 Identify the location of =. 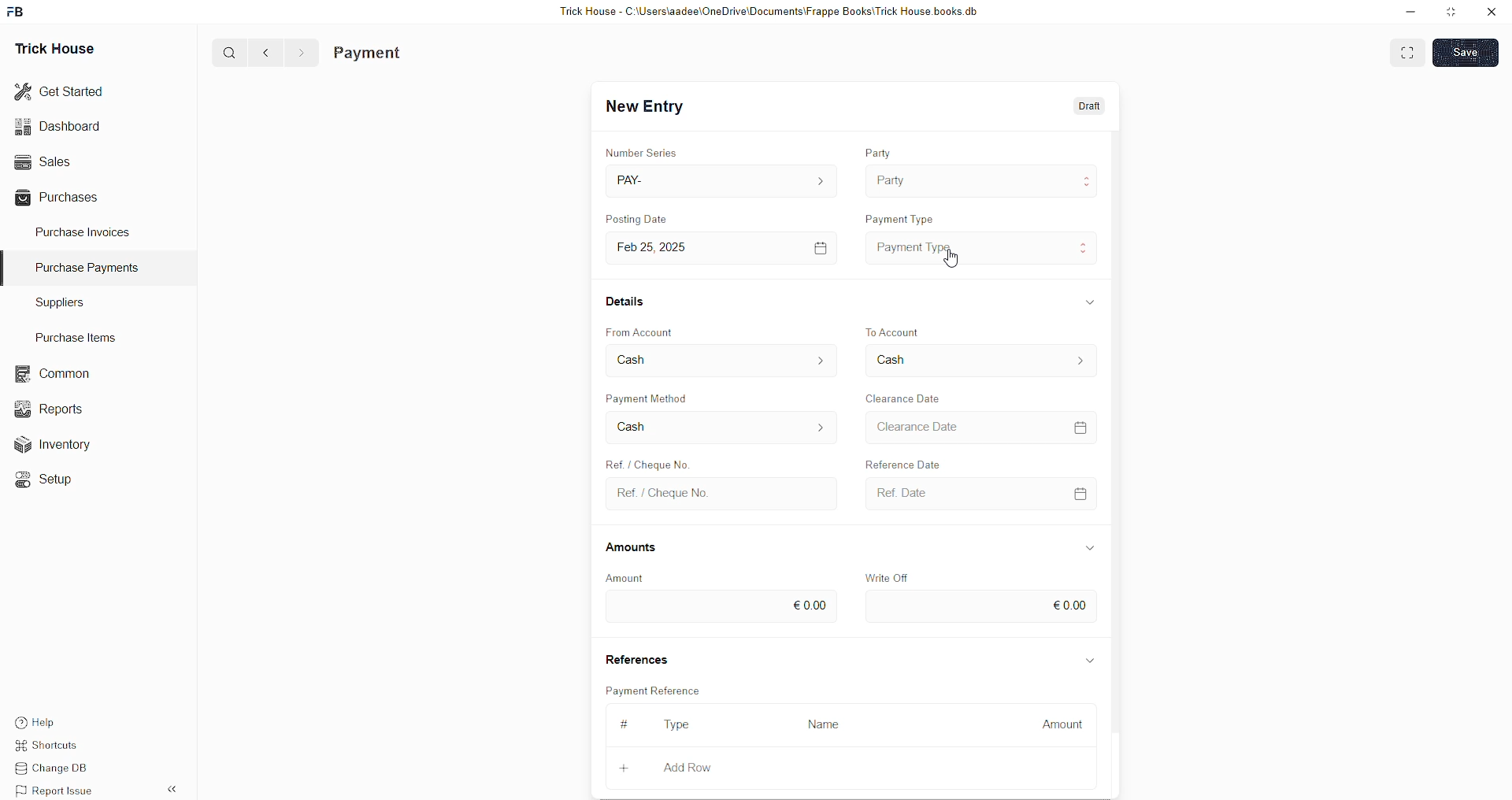
(1084, 425).